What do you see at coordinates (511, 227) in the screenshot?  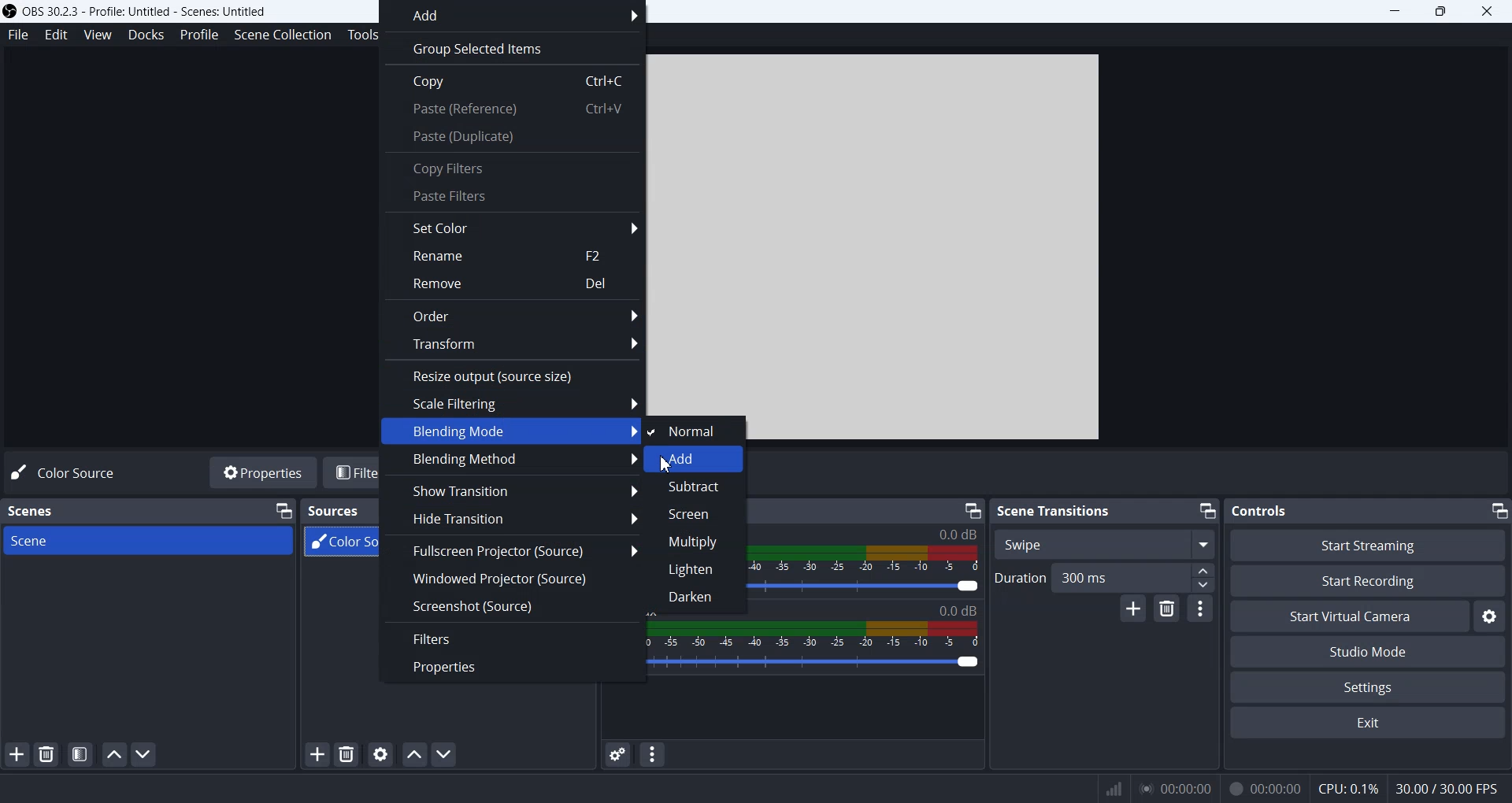 I see `Set Color` at bounding box center [511, 227].